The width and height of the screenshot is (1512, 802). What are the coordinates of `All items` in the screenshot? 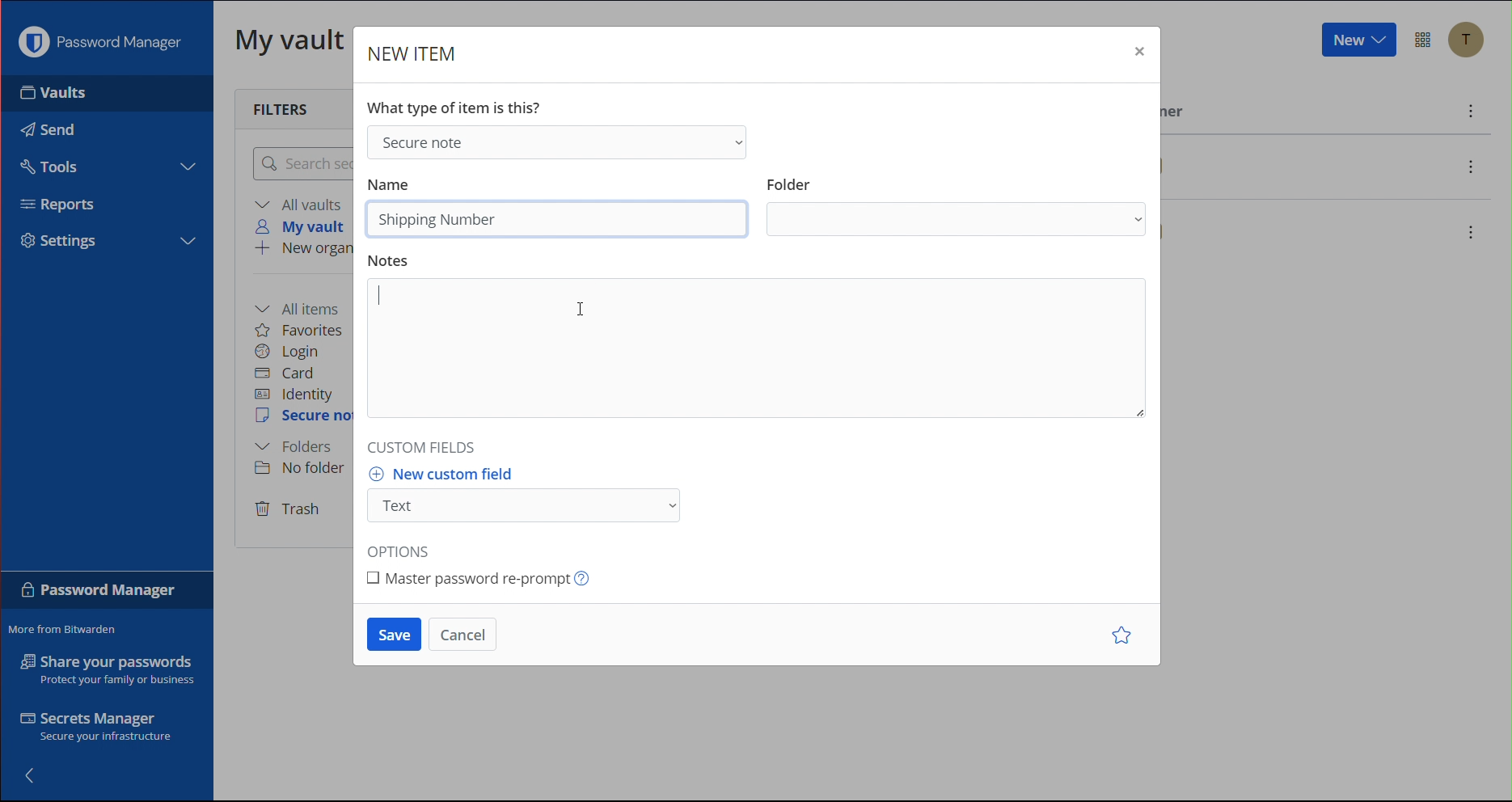 It's located at (305, 305).